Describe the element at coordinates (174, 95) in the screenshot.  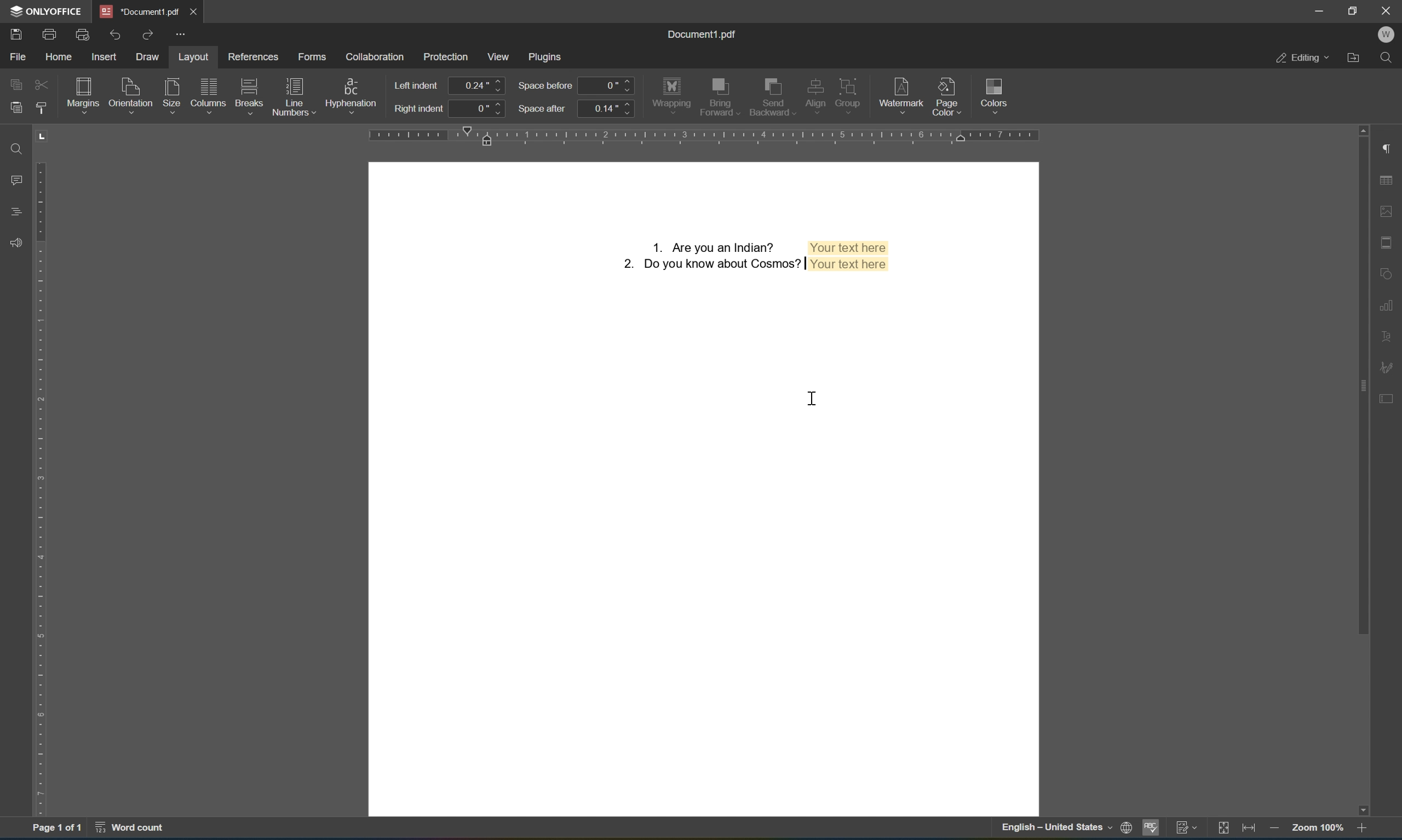
I see `size` at that location.